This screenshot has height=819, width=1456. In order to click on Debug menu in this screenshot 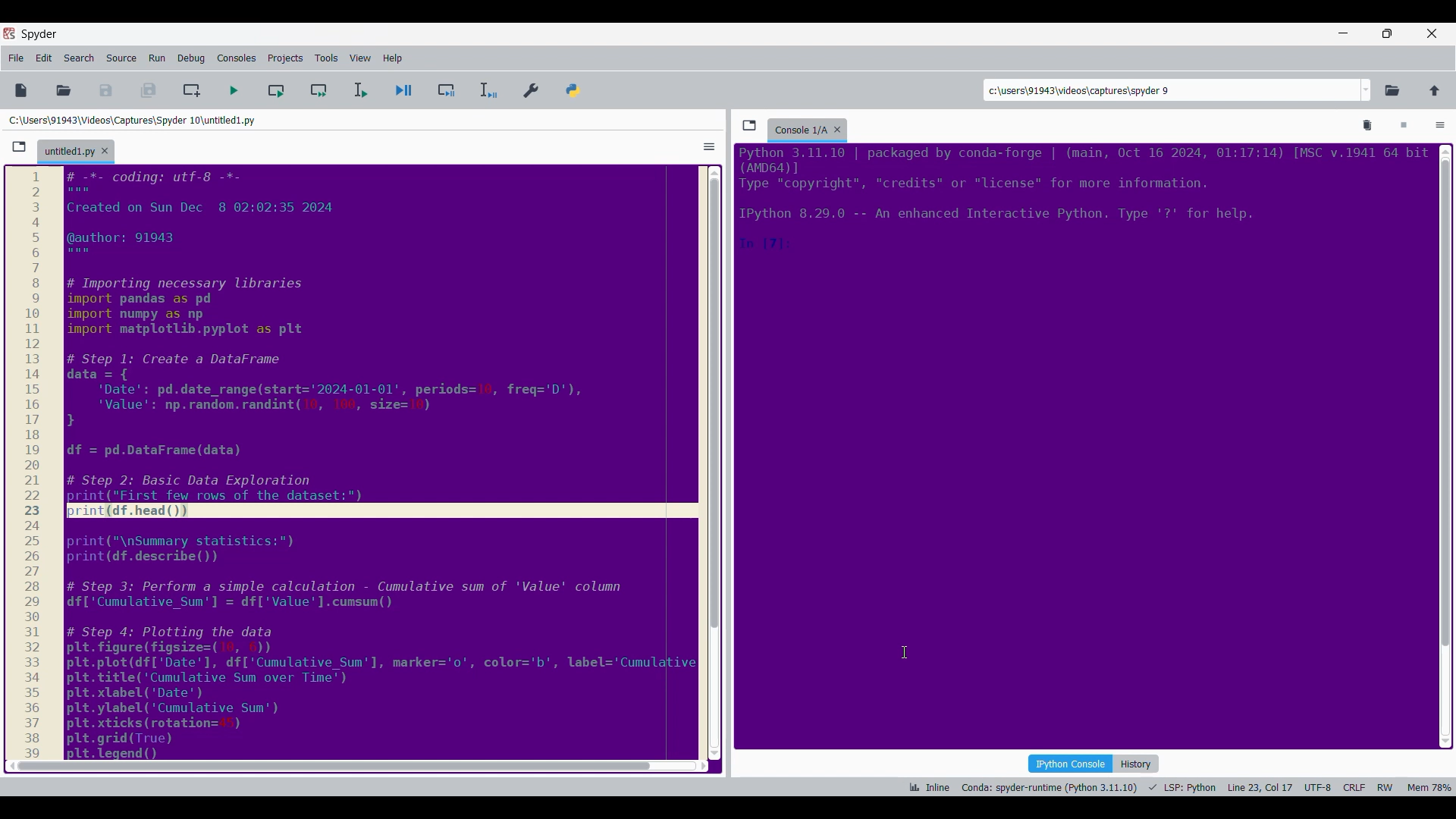, I will do `click(191, 58)`.